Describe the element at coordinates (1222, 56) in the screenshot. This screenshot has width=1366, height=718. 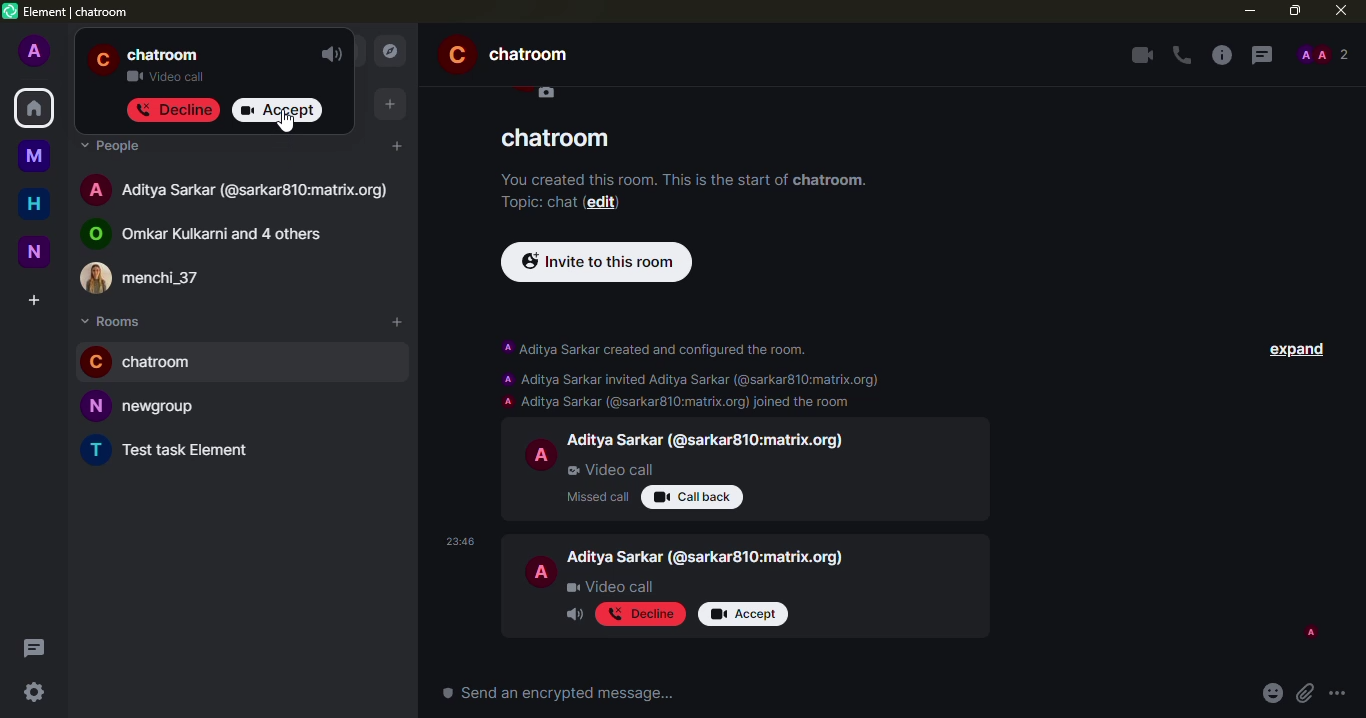
I see `info` at that location.